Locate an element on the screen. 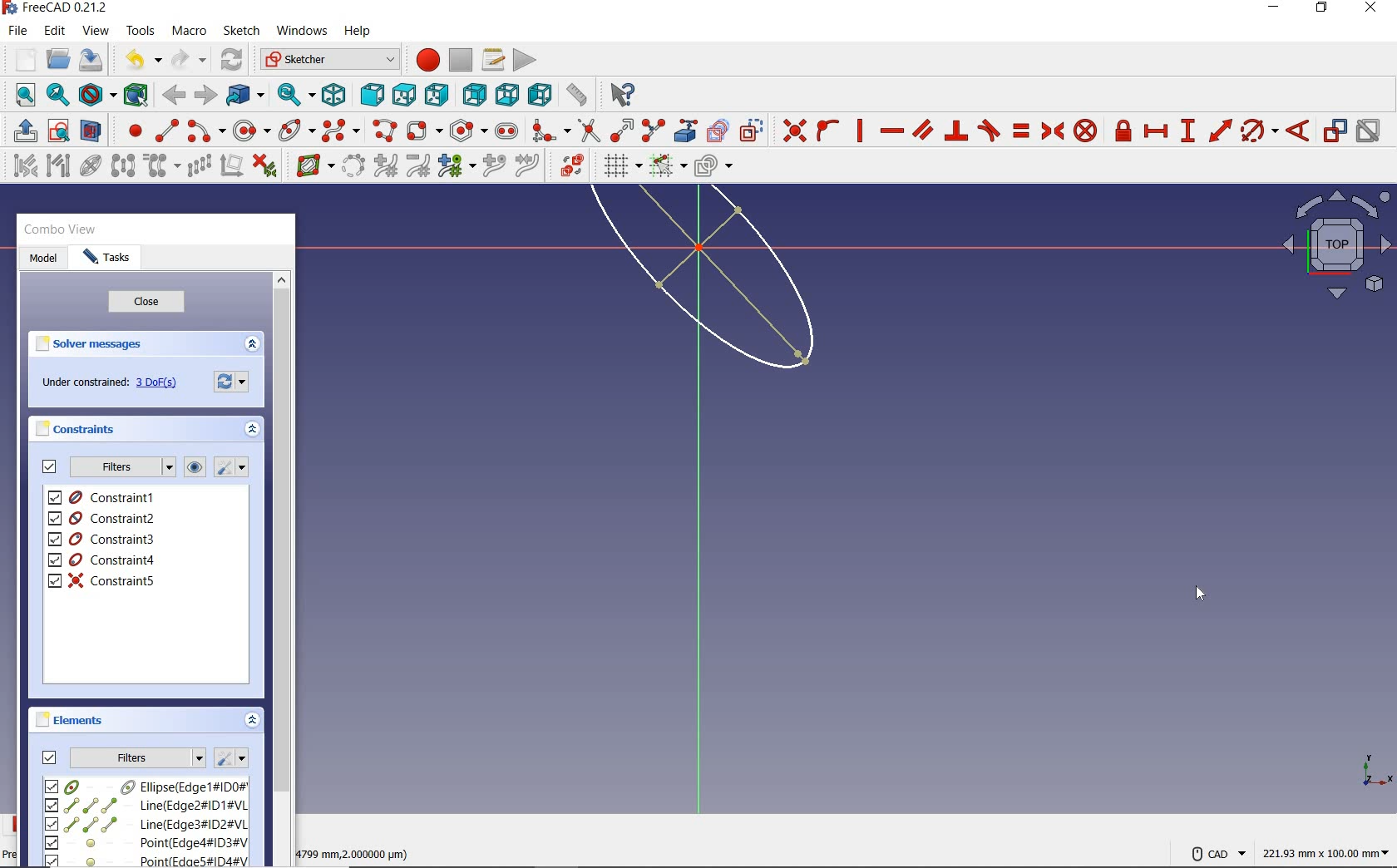 The width and height of the screenshot is (1397, 868). constraint5 is located at coordinates (102, 580).